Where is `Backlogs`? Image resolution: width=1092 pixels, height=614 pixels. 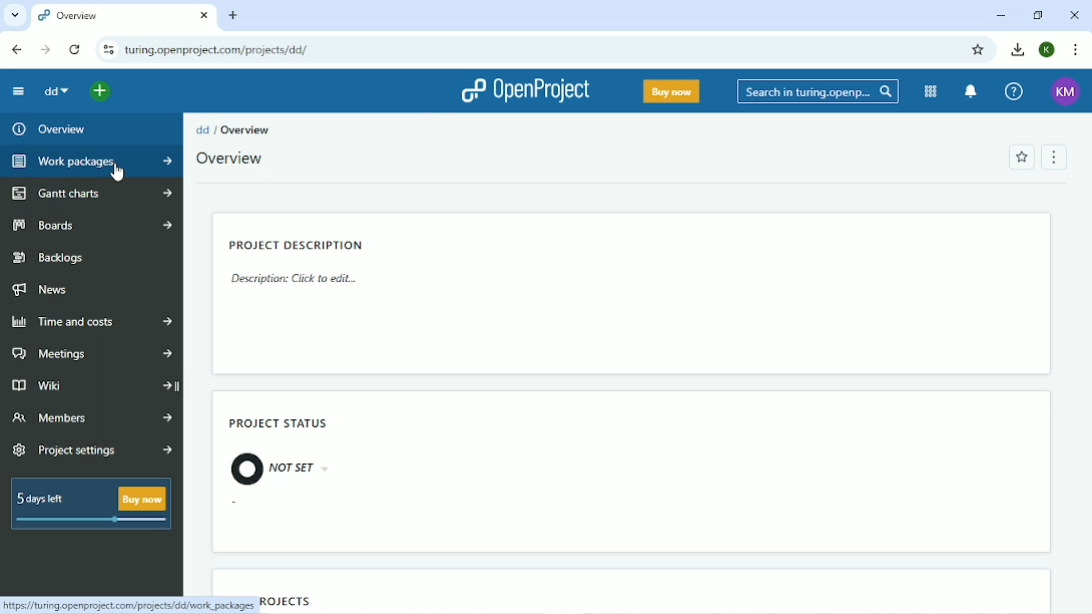 Backlogs is located at coordinates (50, 257).